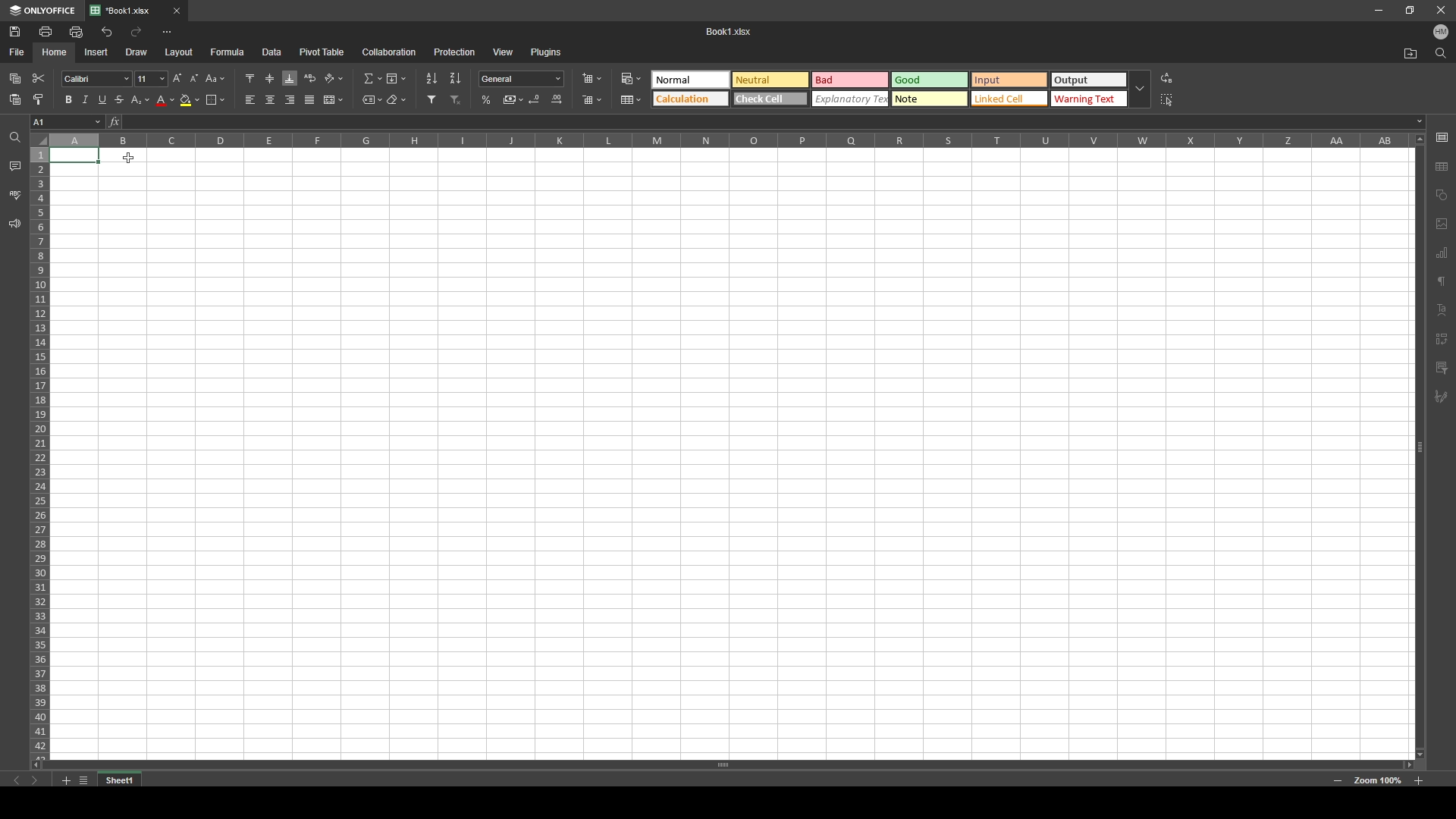 This screenshot has width=1456, height=819. I want to click on italic, so click(85, 101).